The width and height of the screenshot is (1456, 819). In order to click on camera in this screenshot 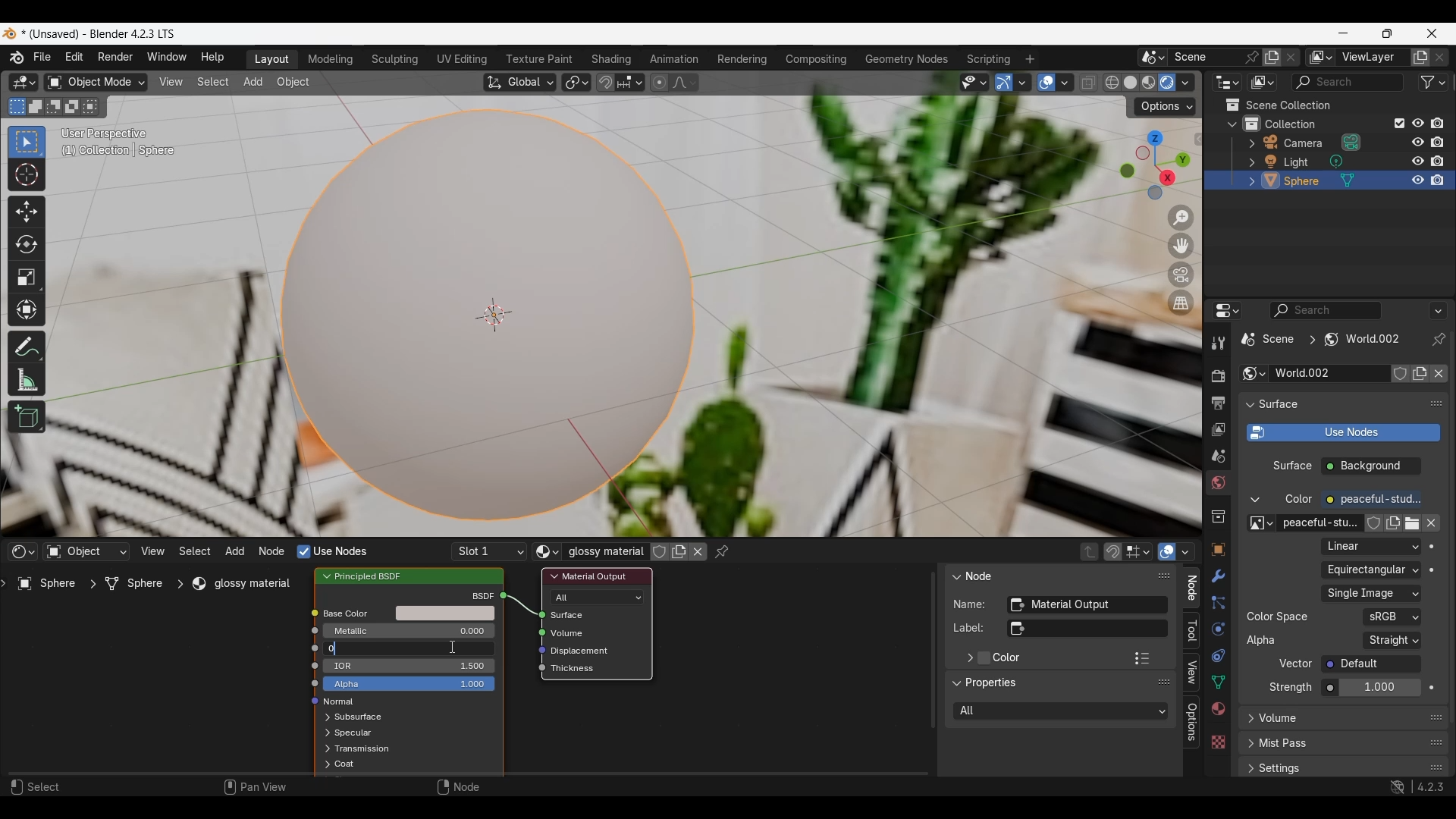, I will do `click(1305, 143)`.